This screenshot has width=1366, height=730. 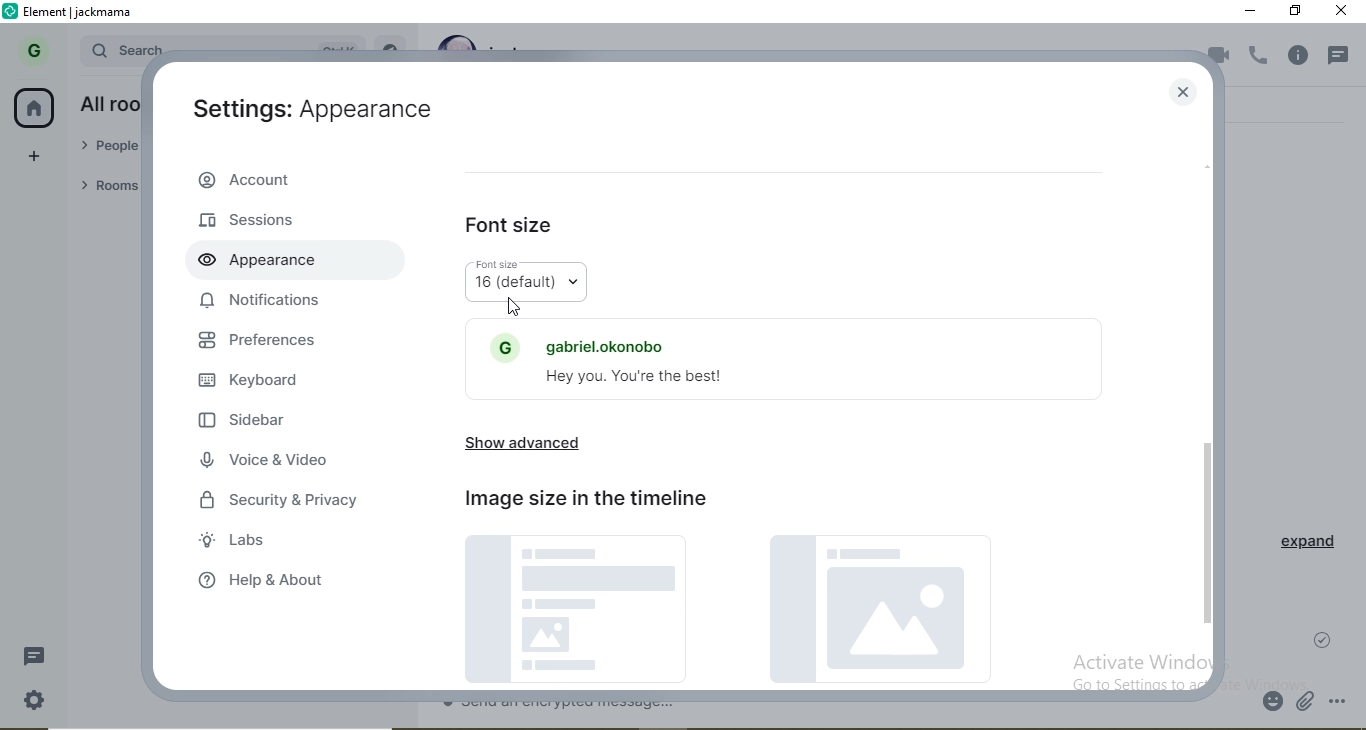 I want to click on restore, so click(x=1297, y=11).